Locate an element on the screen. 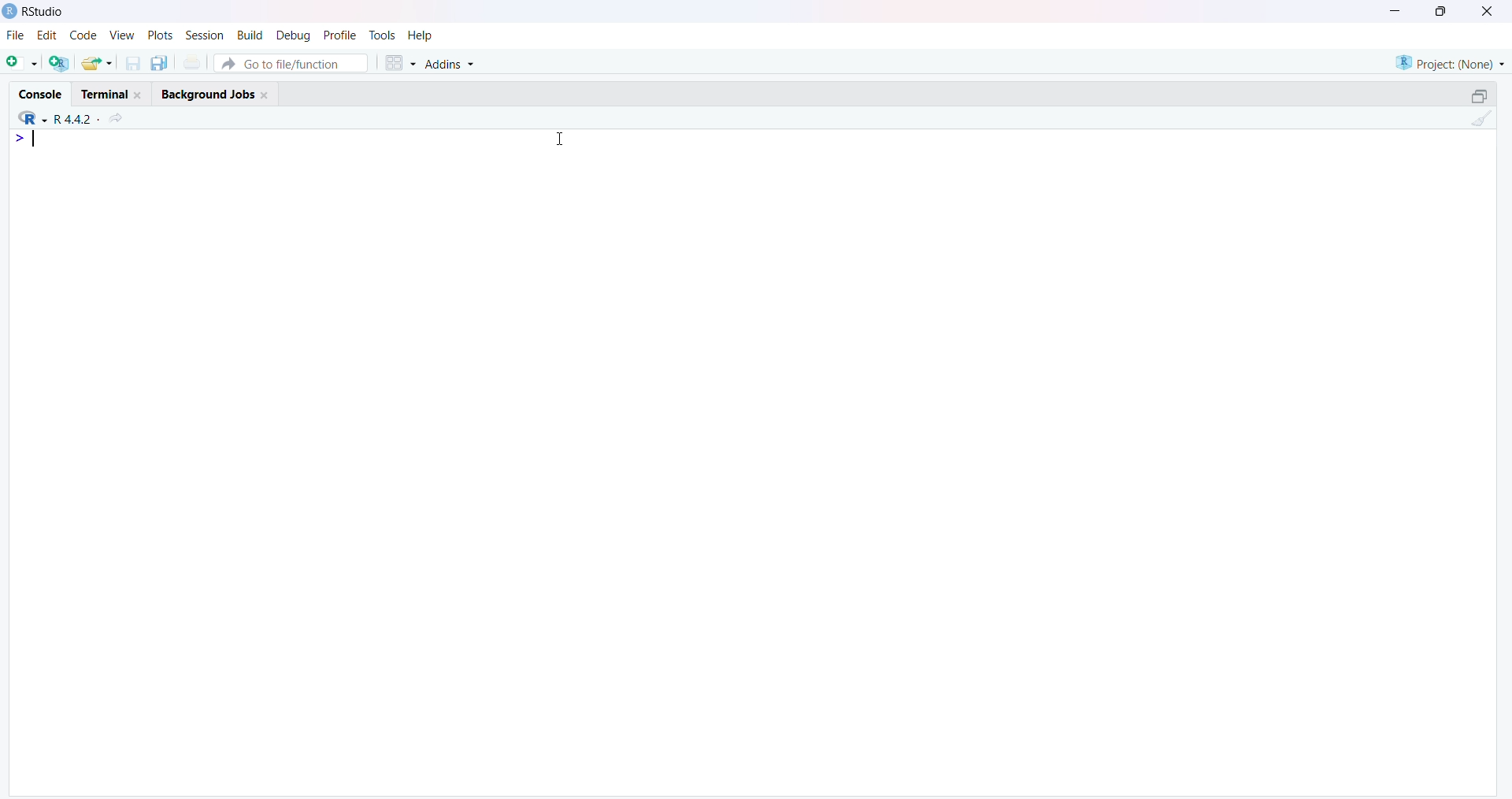  New File is located at coordinates (22, 61).